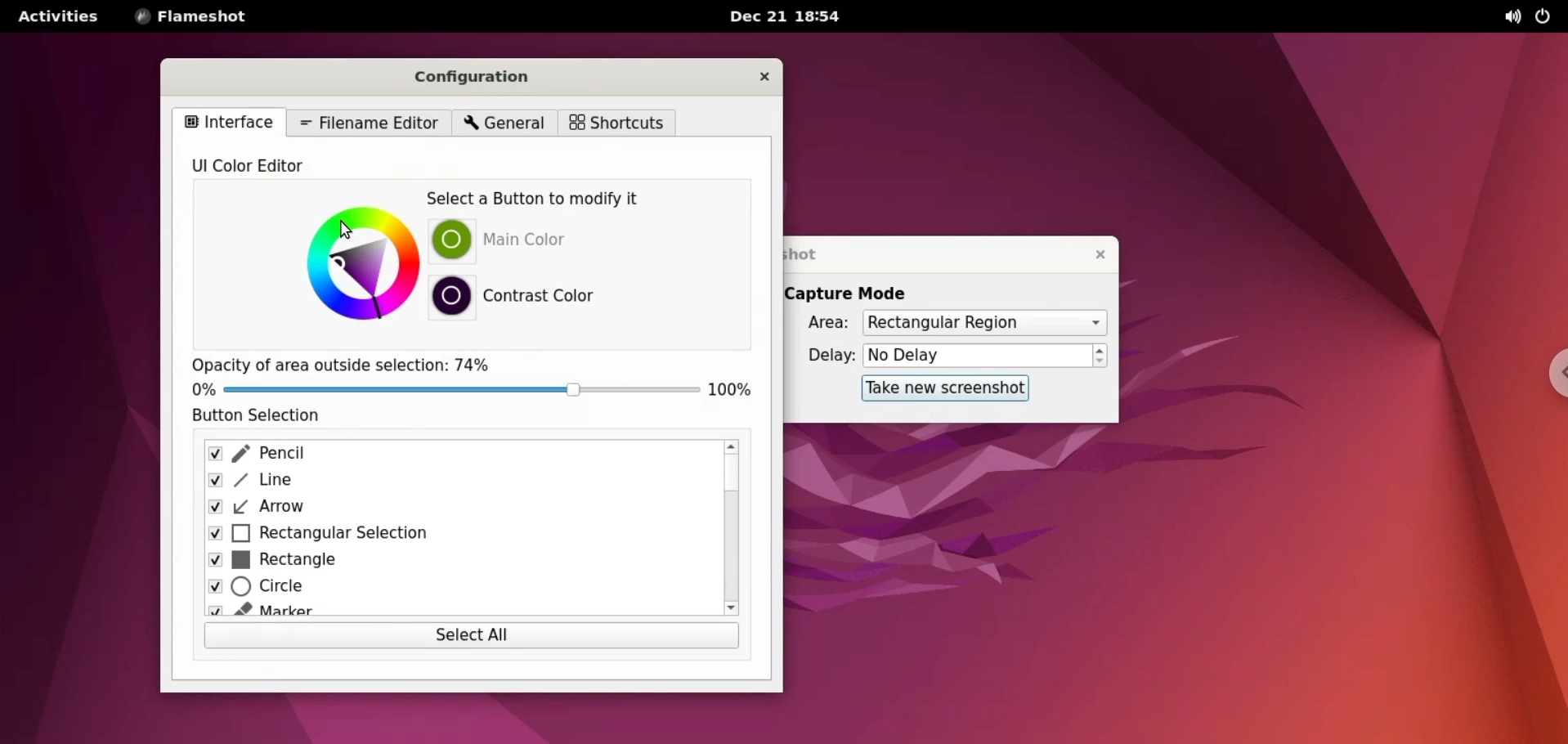 This screenshot has height=744, width=1568. Describe the element at coordinates (979, 356) in the screenshot. I see `delay time input box` at that location.